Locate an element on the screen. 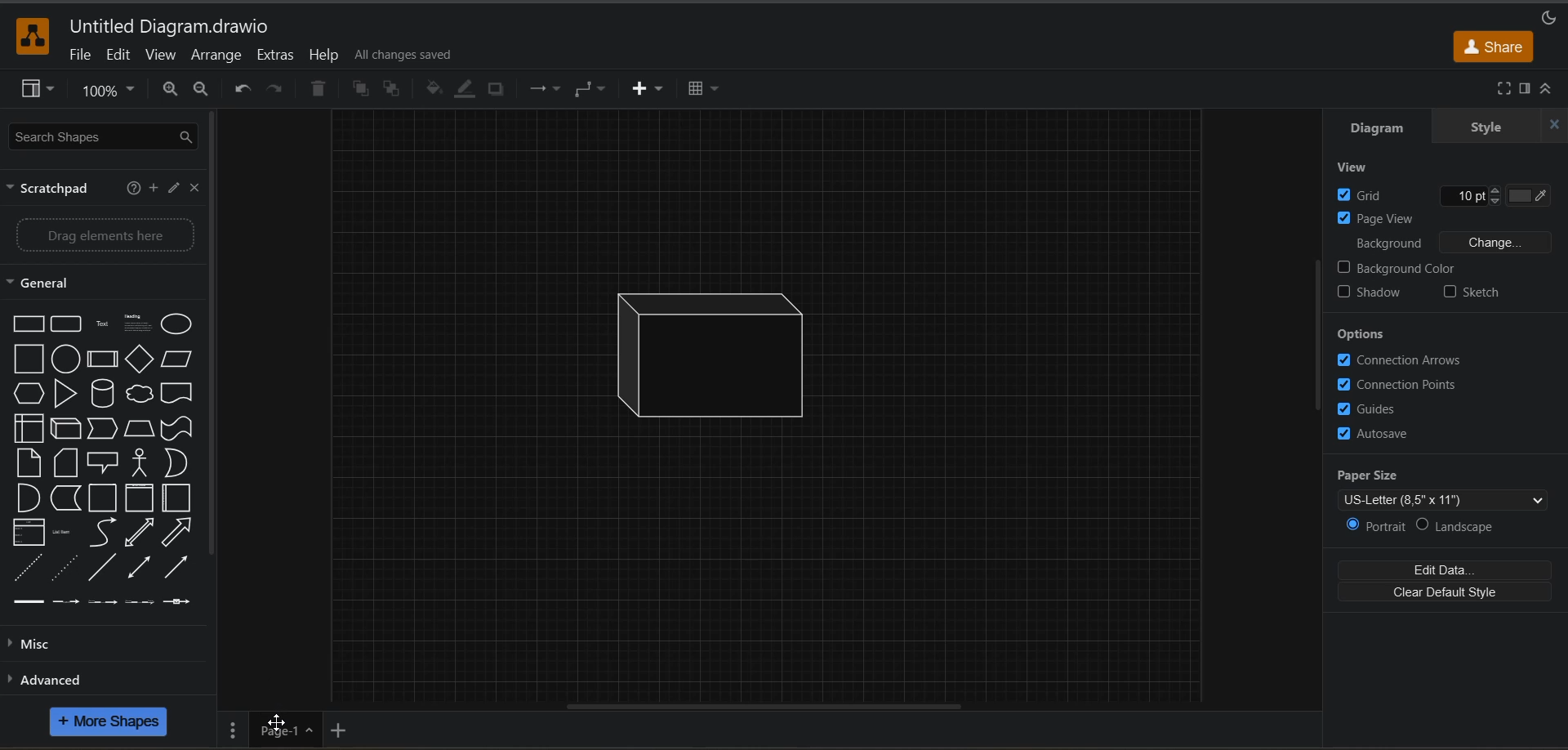 The height and width of the screenshot is (750, 1568). waypoints is located at coordinates (593, 90).